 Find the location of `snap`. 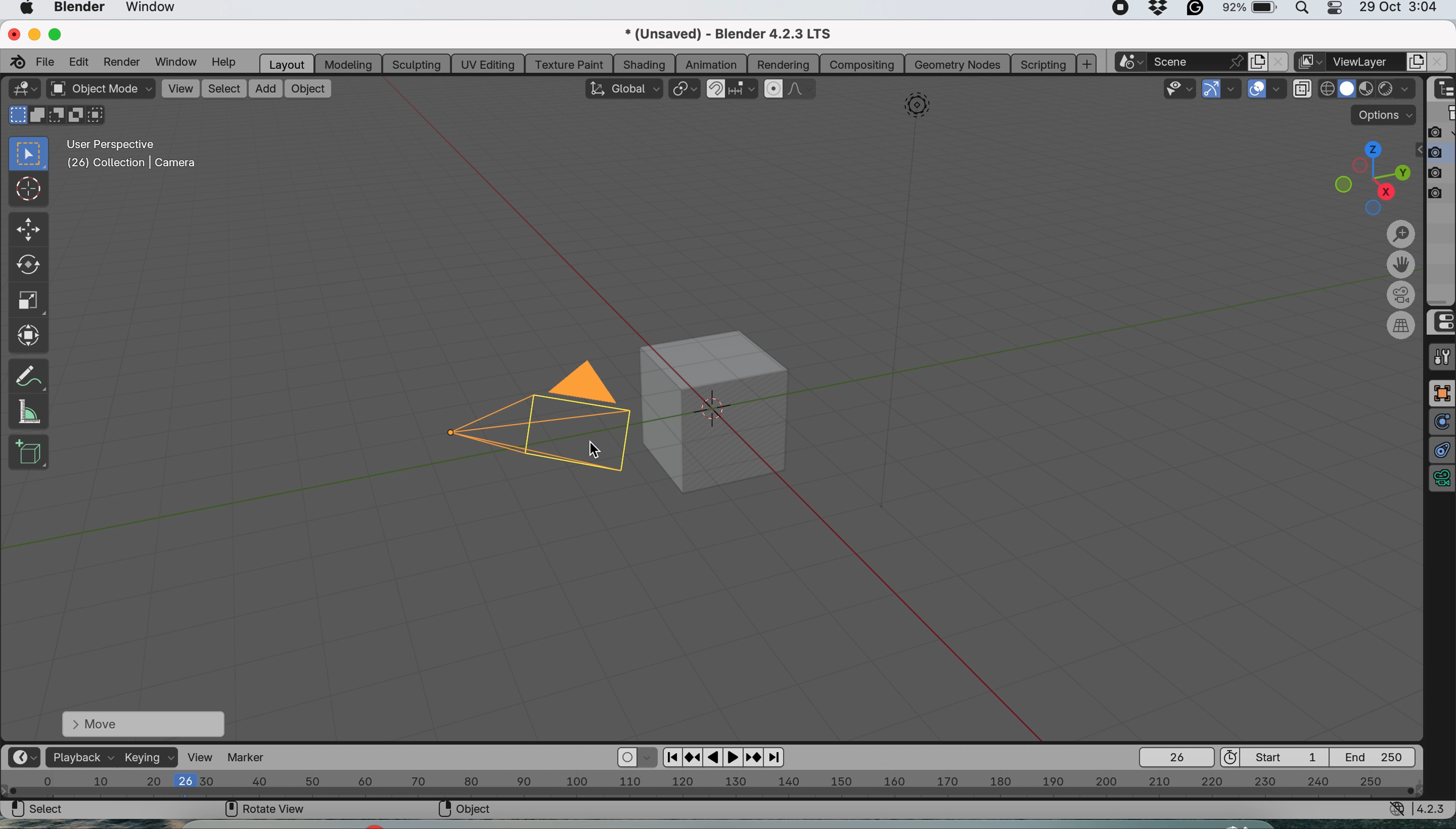

snap is located at coordinates (716, 87).